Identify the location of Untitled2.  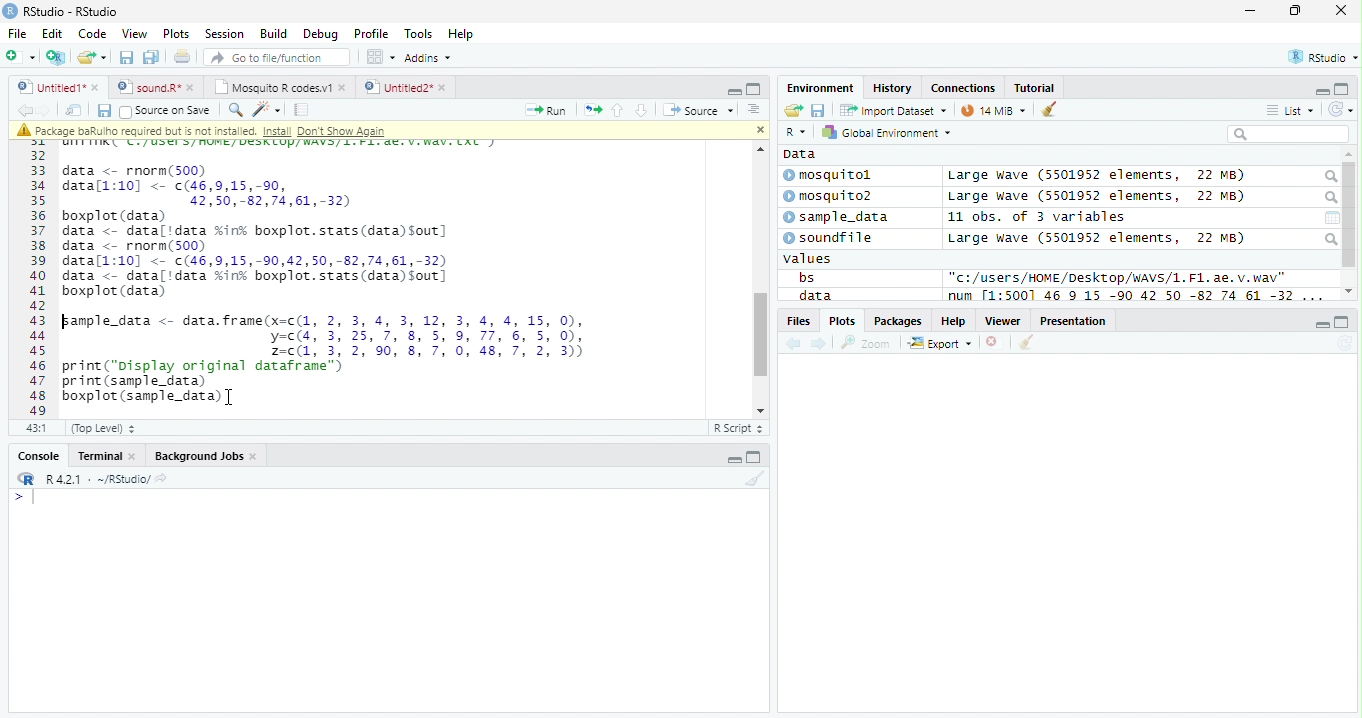
(405, 88).